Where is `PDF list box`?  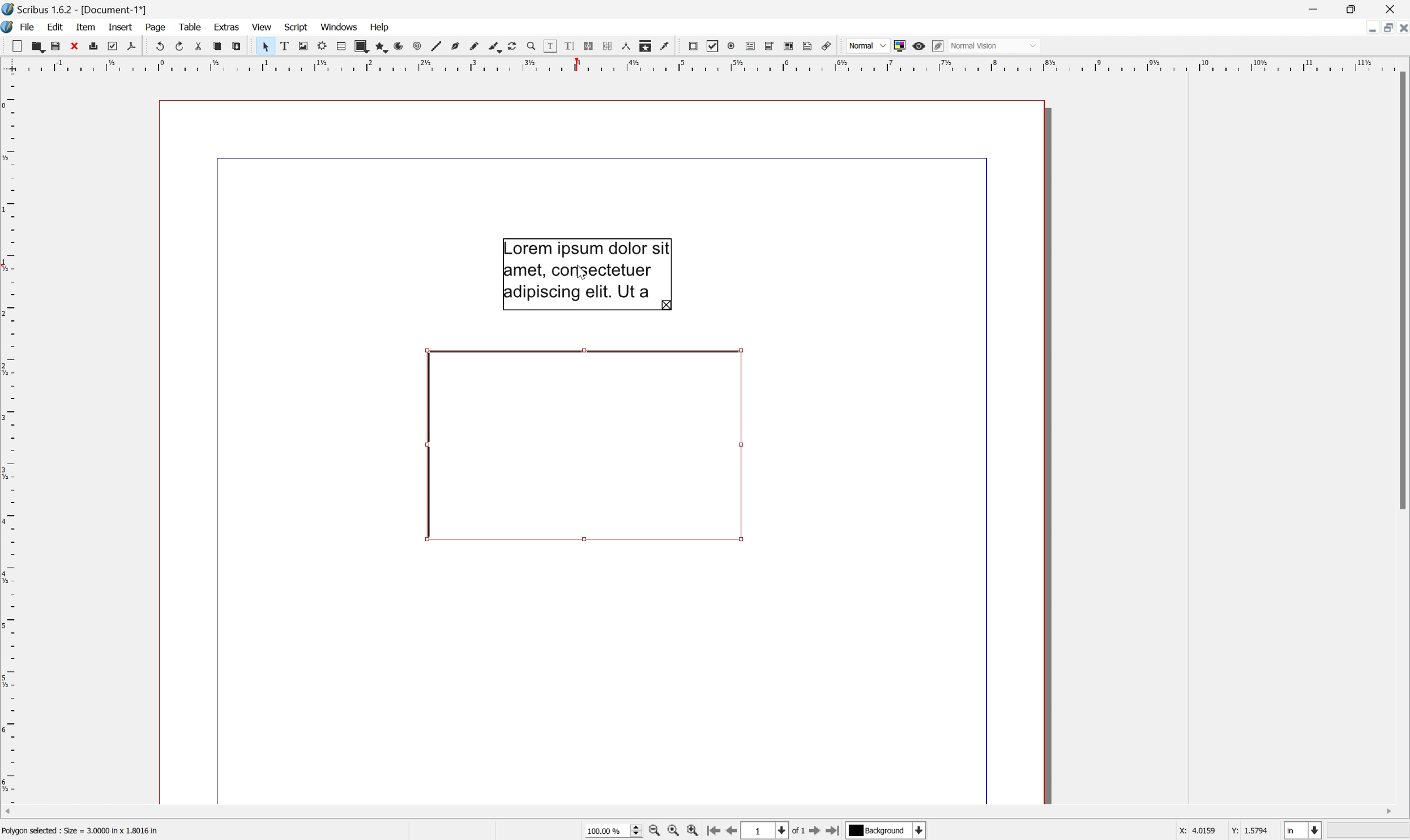 PDF list box is located at coordinates (789, 46).